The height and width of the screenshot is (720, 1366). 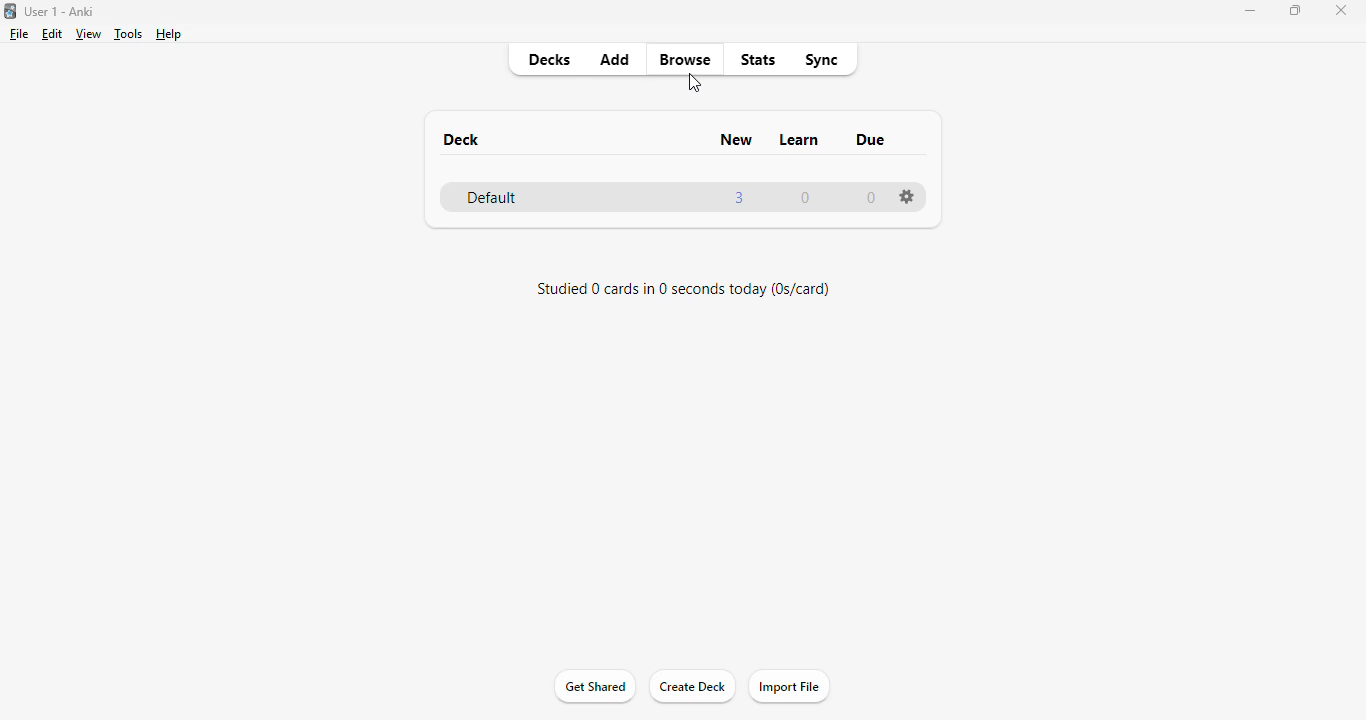 I want to click on tools, so click(x=130, y=34).